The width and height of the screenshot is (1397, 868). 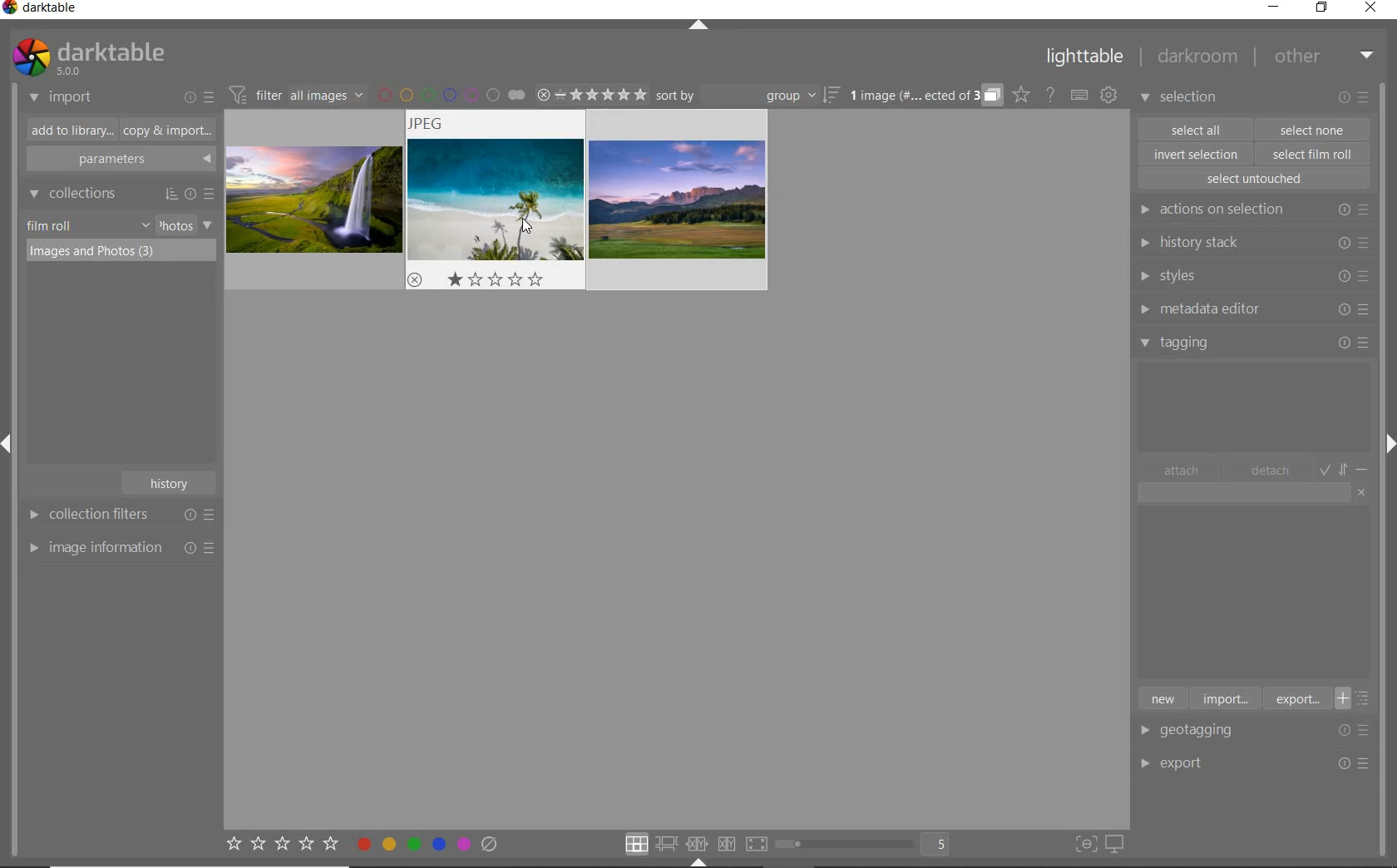 What do you see at coordinates (528, 228) in the screenshot?
I see `cursor` at bounding box center [528, 228].